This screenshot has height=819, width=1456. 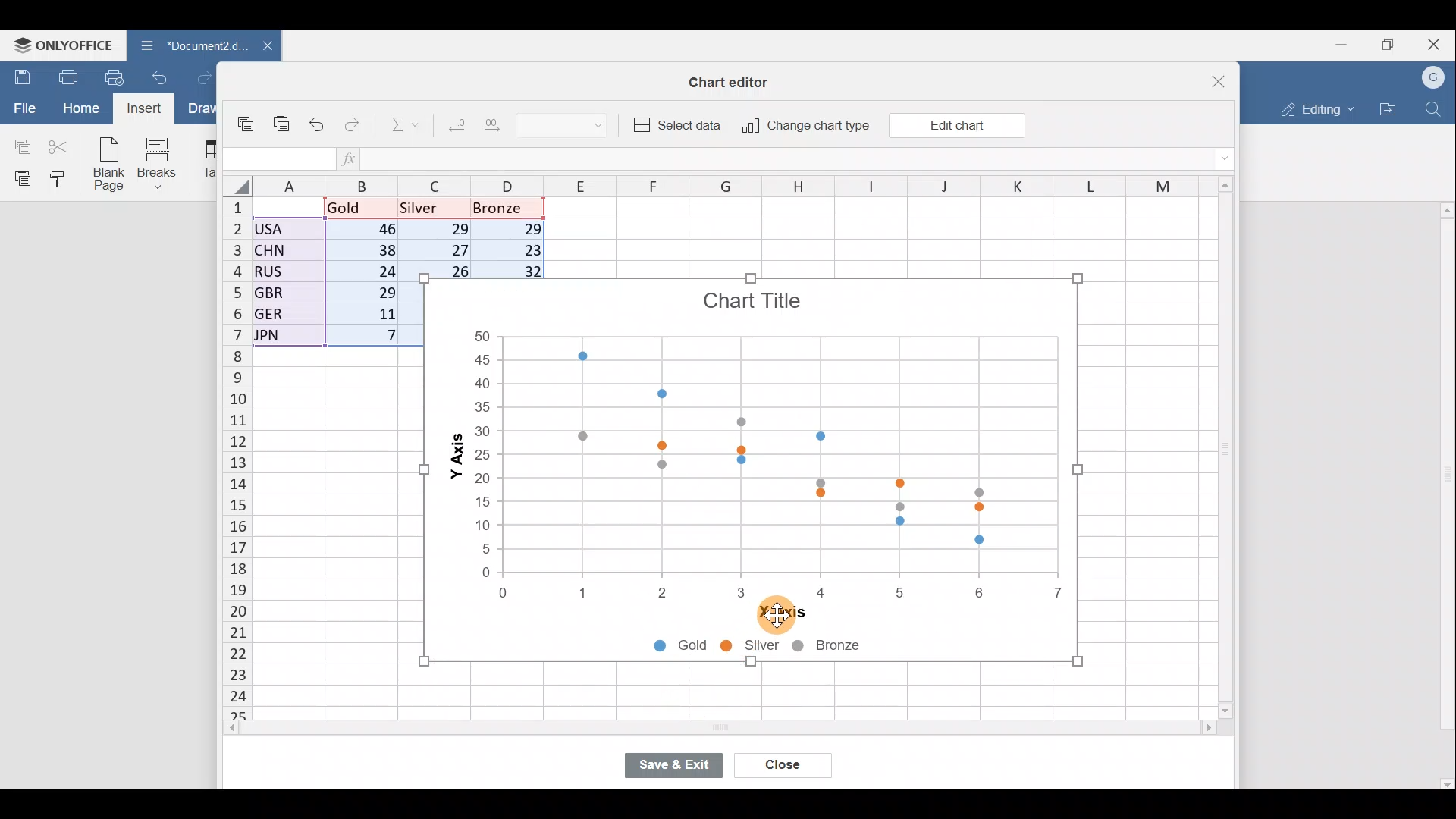 I want to click on Number format, so click(x=575, y=127).